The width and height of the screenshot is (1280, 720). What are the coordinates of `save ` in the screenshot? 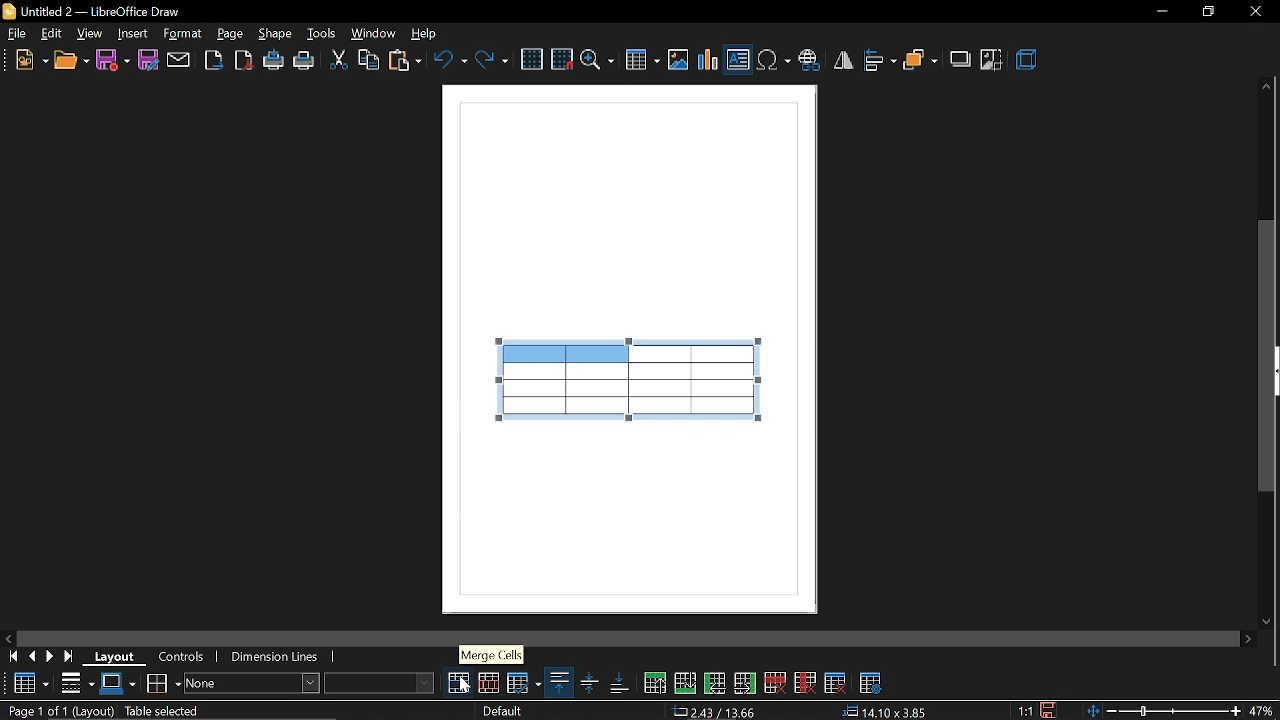 It's located at (112, 61).